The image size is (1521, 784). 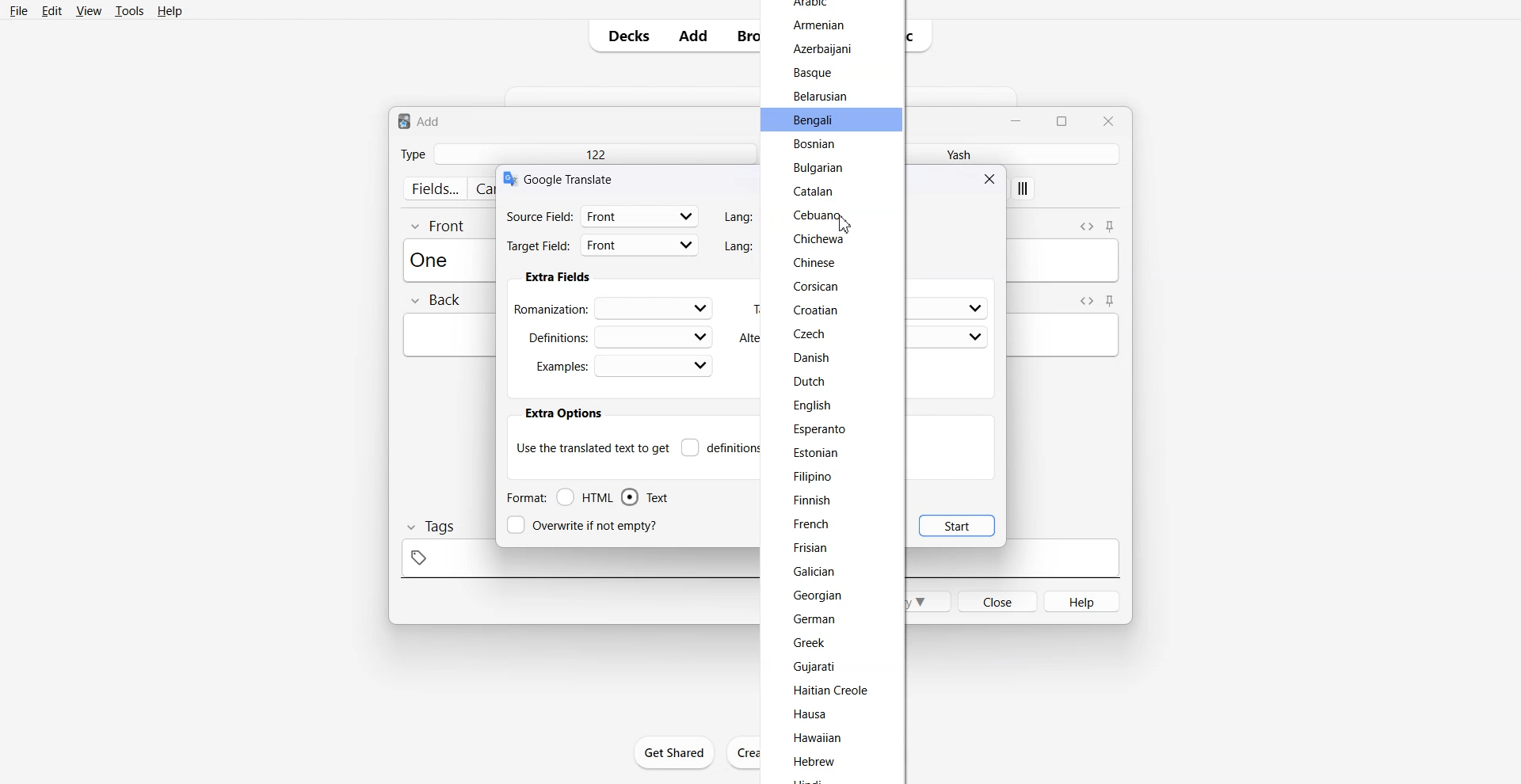 What do you see at coordinates (812, 405) in the screenshot?
I see `English` at bounding box center [812, 405].